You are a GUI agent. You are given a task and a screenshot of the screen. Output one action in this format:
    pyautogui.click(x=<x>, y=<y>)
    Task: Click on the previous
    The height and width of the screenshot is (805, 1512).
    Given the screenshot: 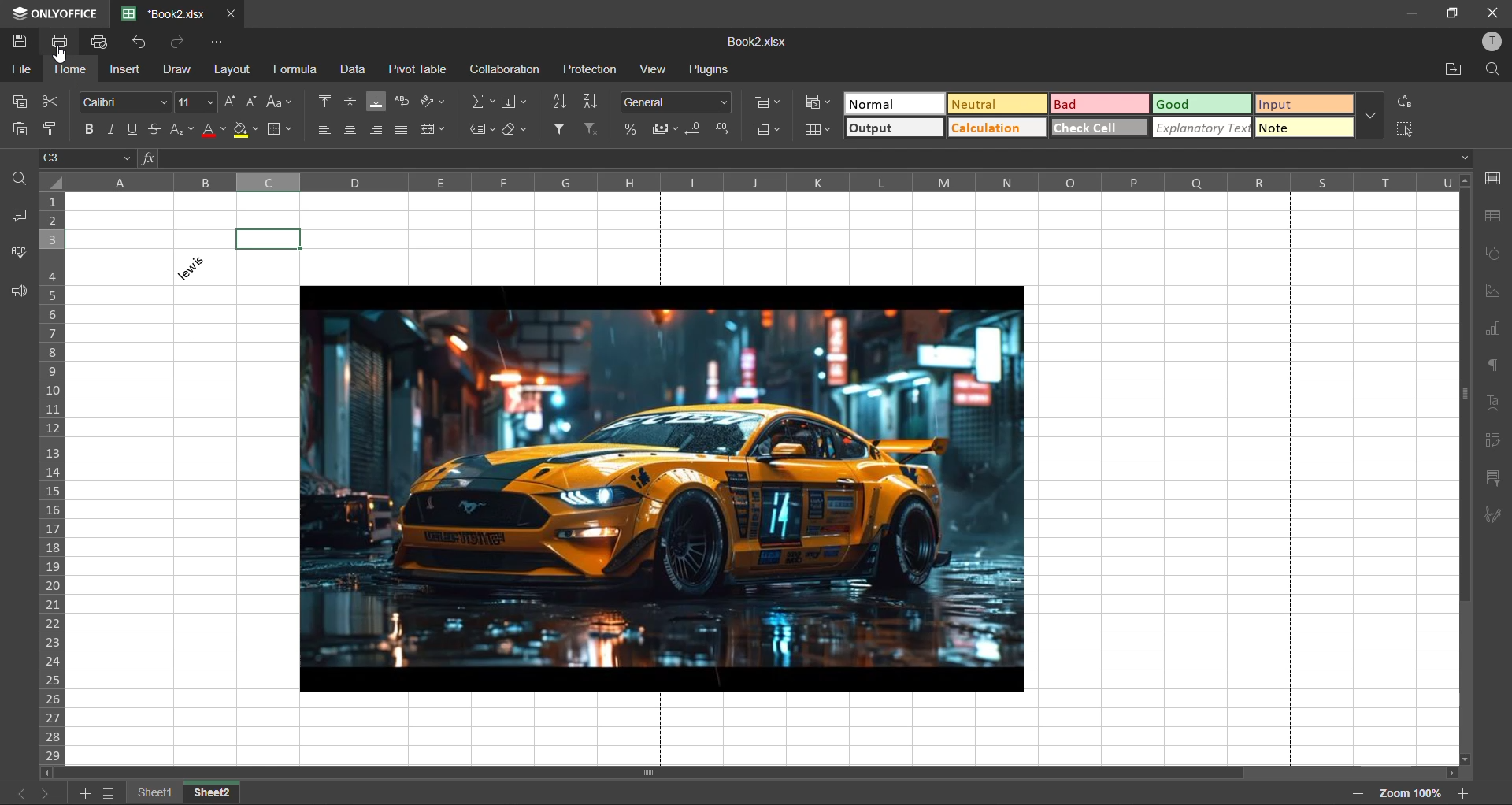 What is the action you would take?
    pyautogui.click(x=17, y=792)
    